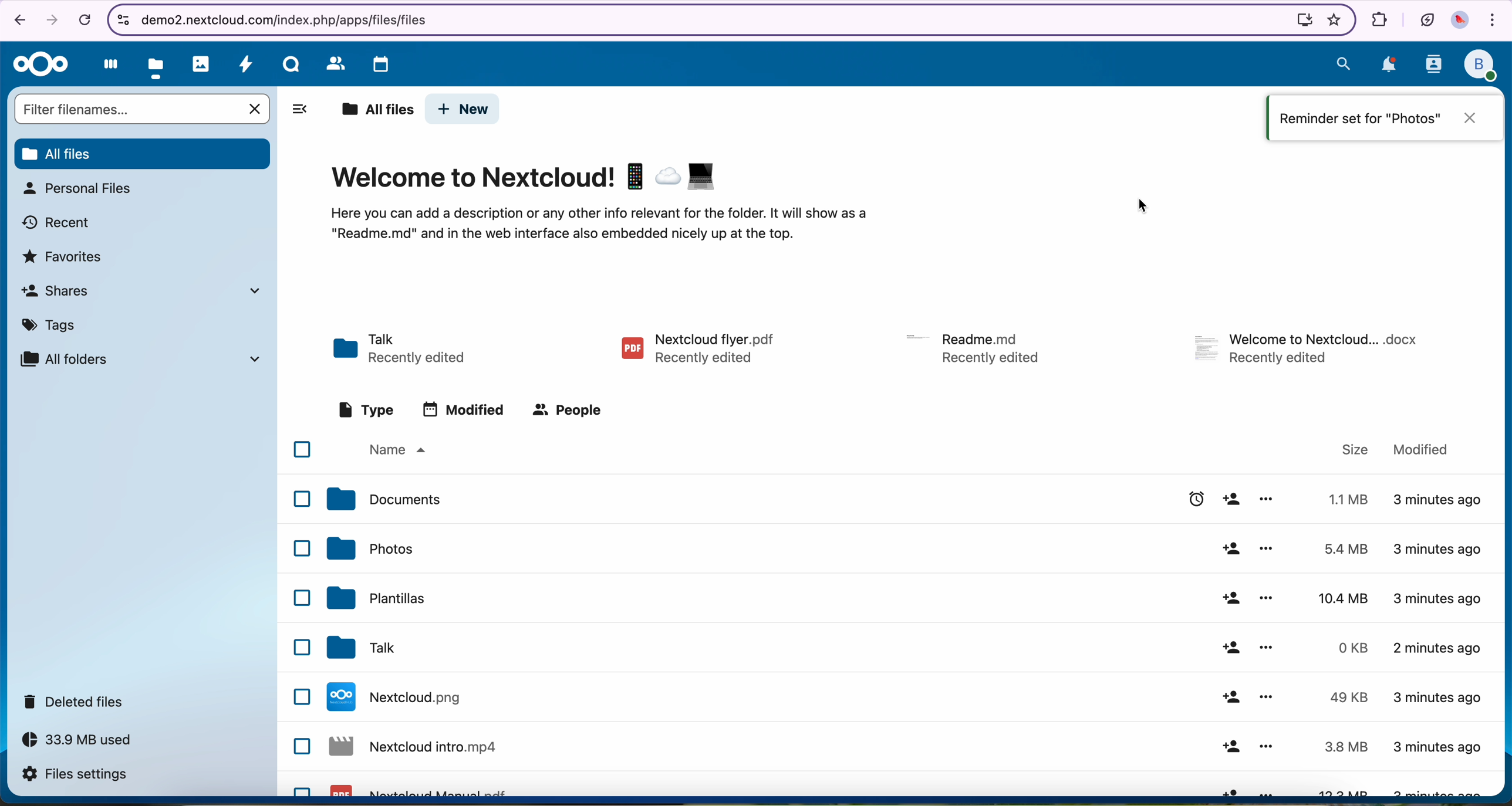 The image size is (1512, 806). I want to click on file, so click(1309, 348).